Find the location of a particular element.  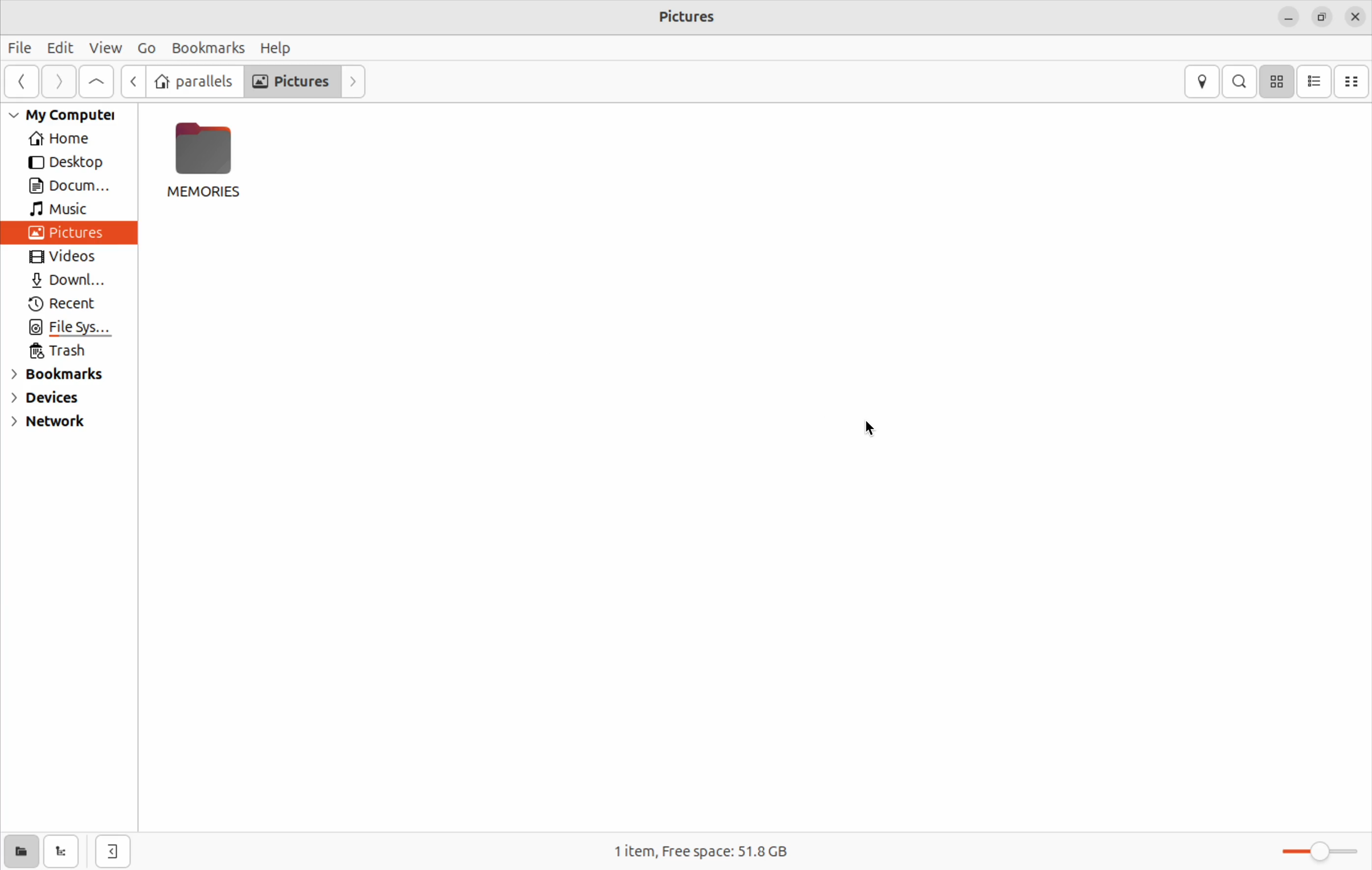

Zoom is located at coordinates (1314, 850).